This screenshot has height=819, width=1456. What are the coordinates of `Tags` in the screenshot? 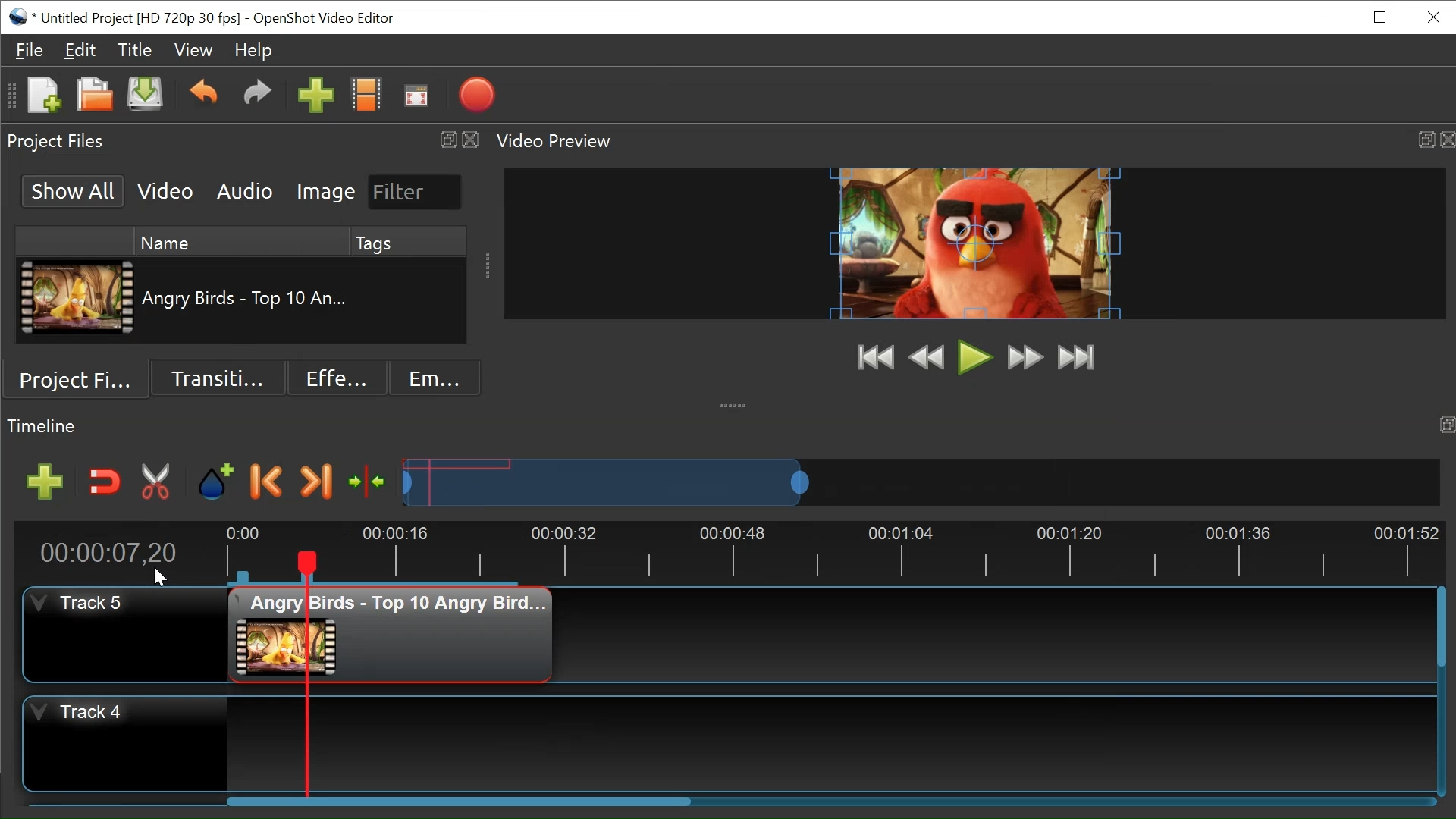 It's located at (409, 242).